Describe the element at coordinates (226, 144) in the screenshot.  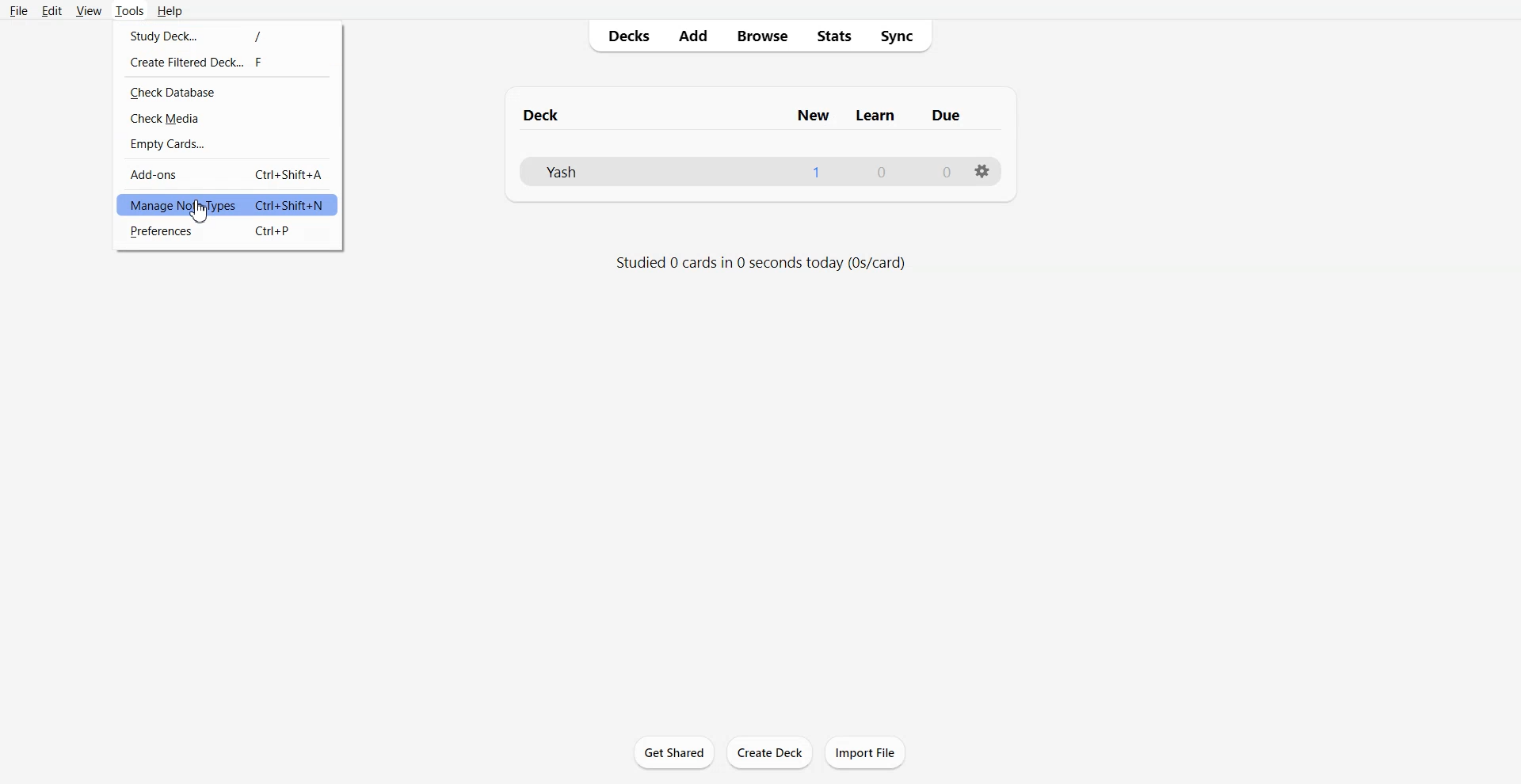
I see `Empty Cards` at that location.